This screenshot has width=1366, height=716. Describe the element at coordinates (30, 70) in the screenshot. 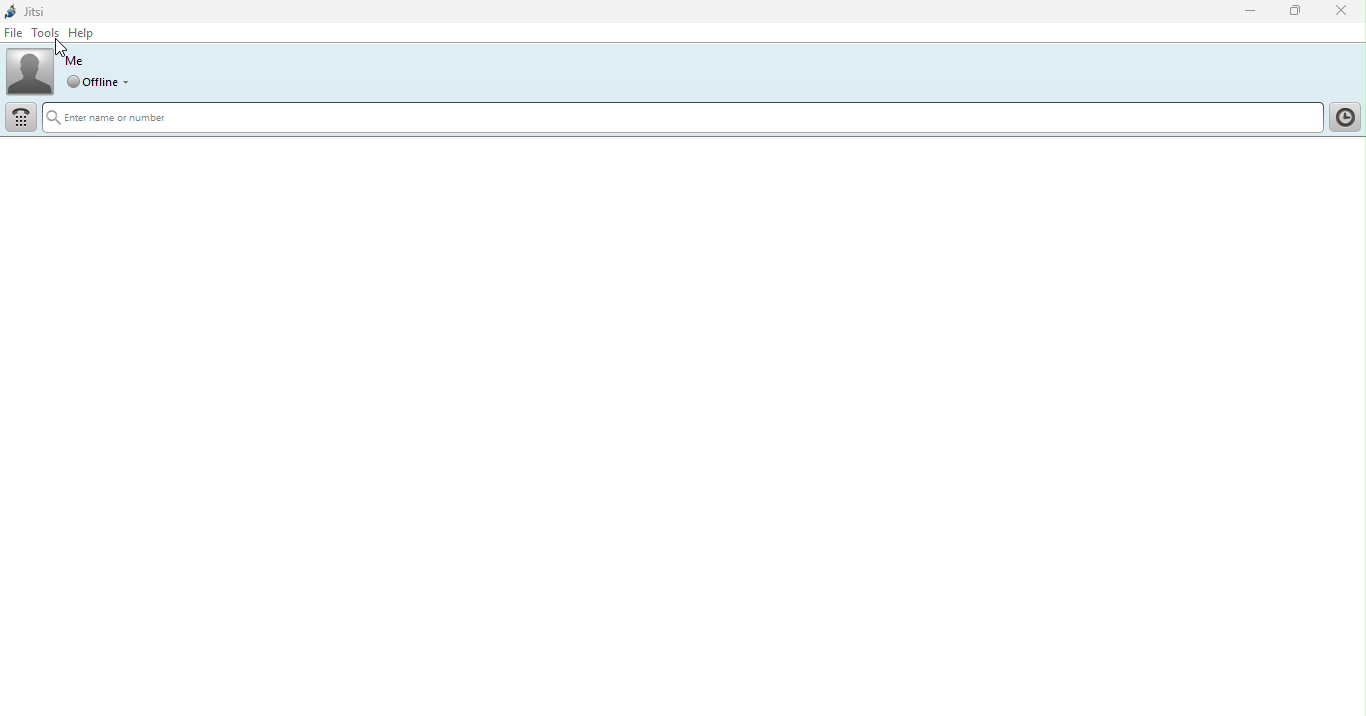

I see `Profile picture` at that location.